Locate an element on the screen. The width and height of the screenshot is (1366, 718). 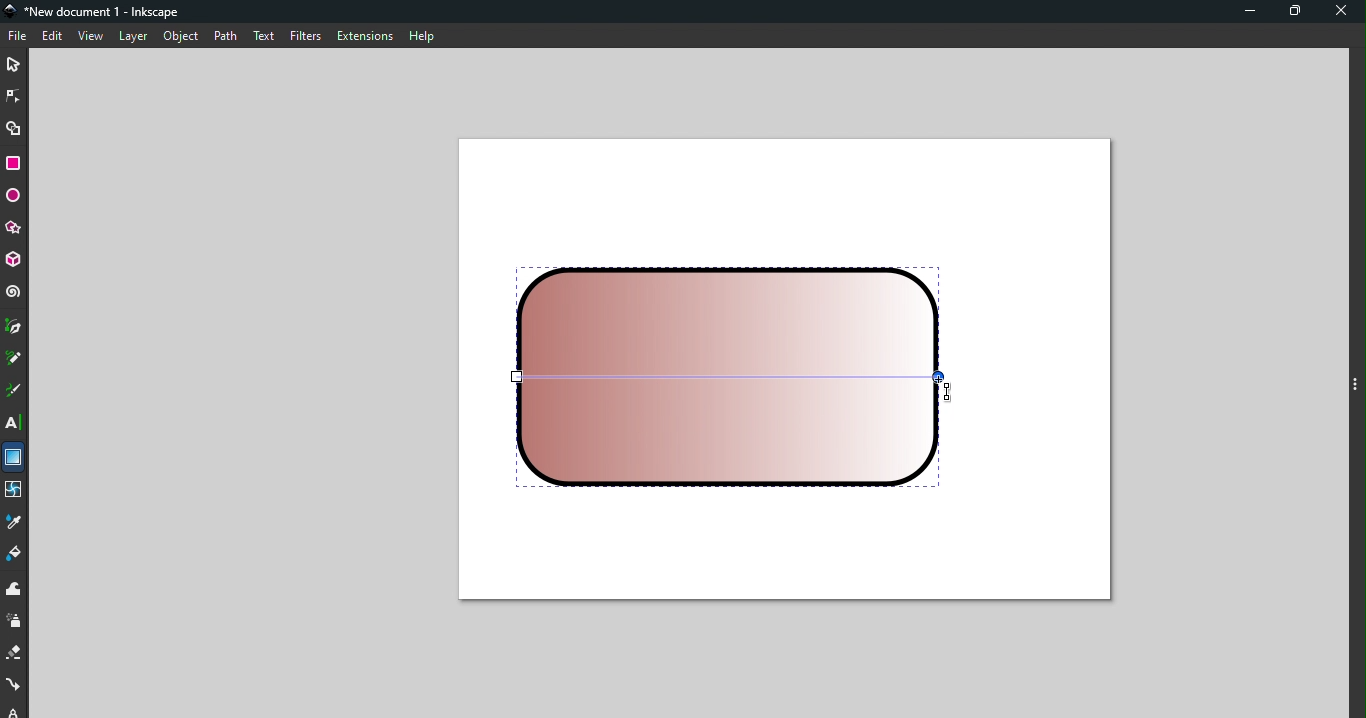
Extensions is located at coordinates (363, 36).